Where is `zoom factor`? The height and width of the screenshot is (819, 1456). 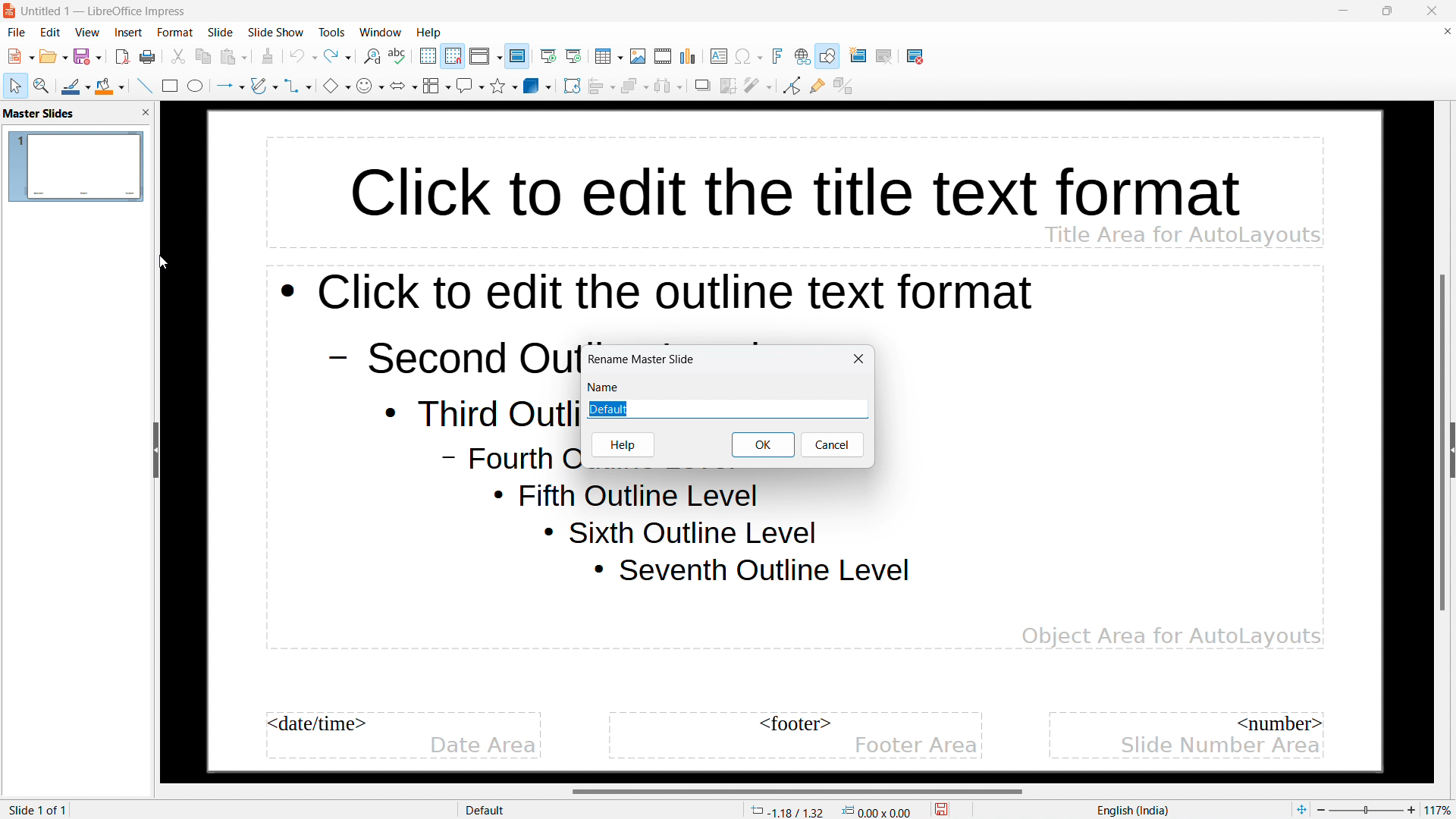
zoom factor is located at coordinates (1441, 808).